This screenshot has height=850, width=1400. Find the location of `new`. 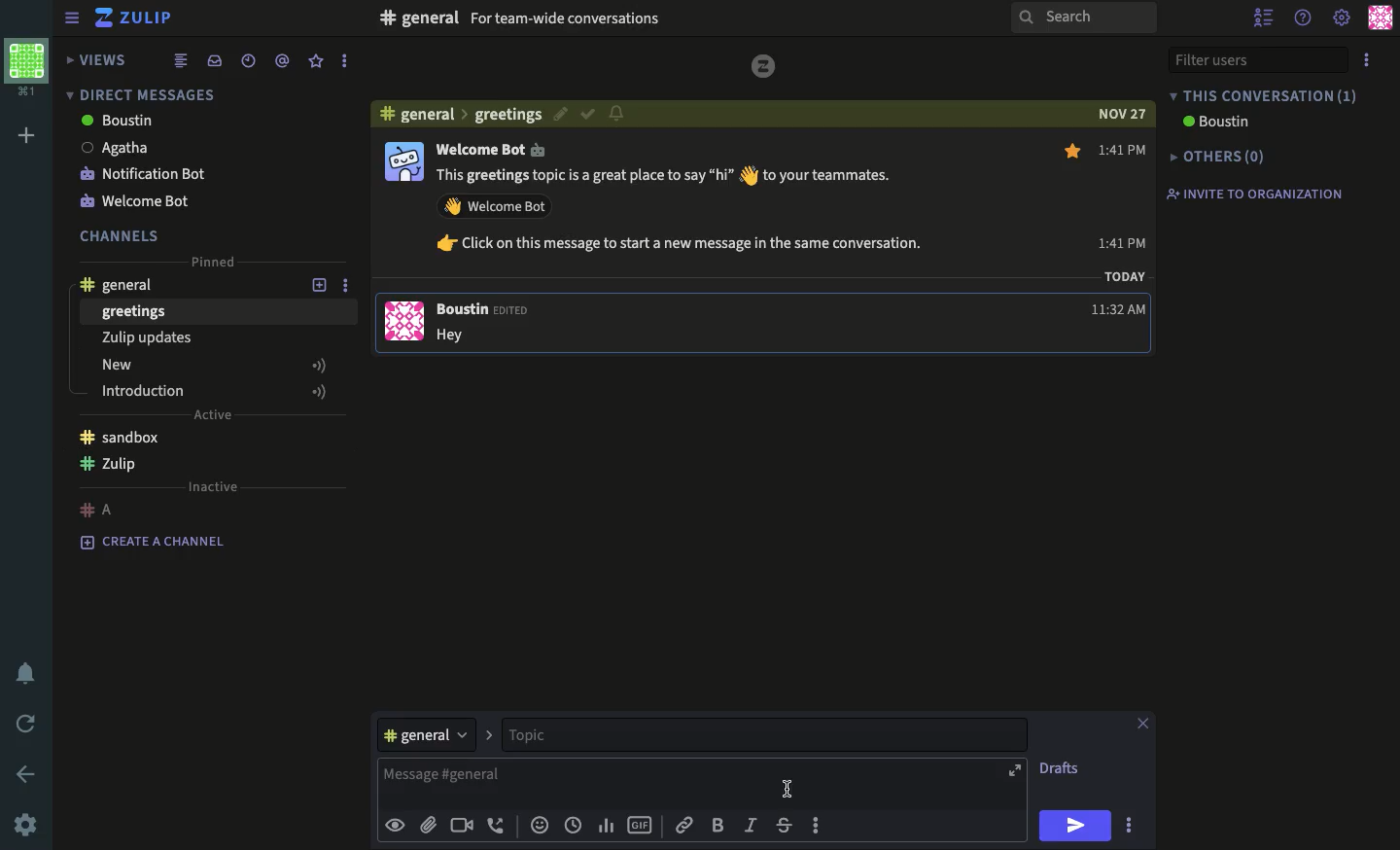

new is located at coordinates (213, 365).